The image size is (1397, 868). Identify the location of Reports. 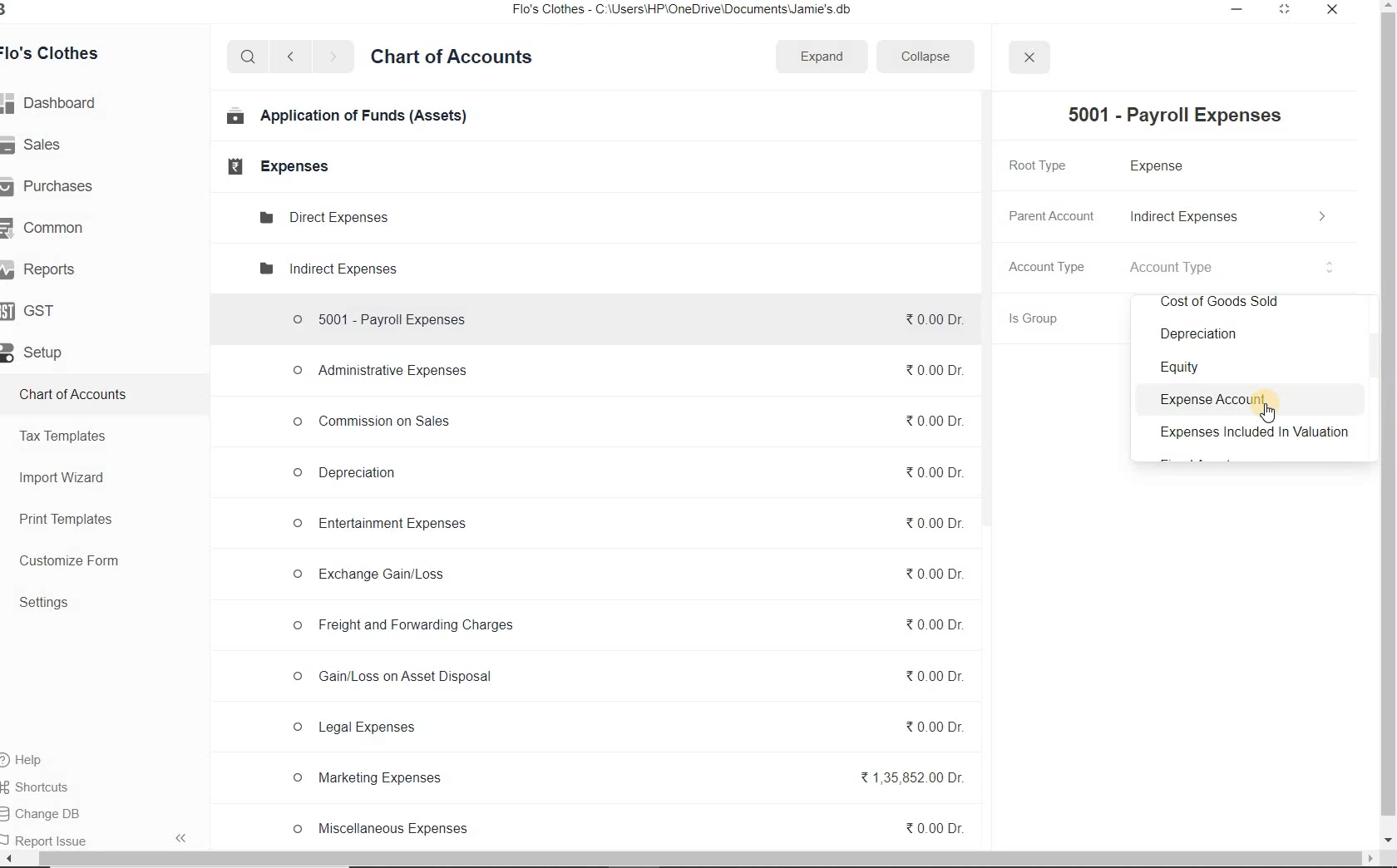
(46, 267).